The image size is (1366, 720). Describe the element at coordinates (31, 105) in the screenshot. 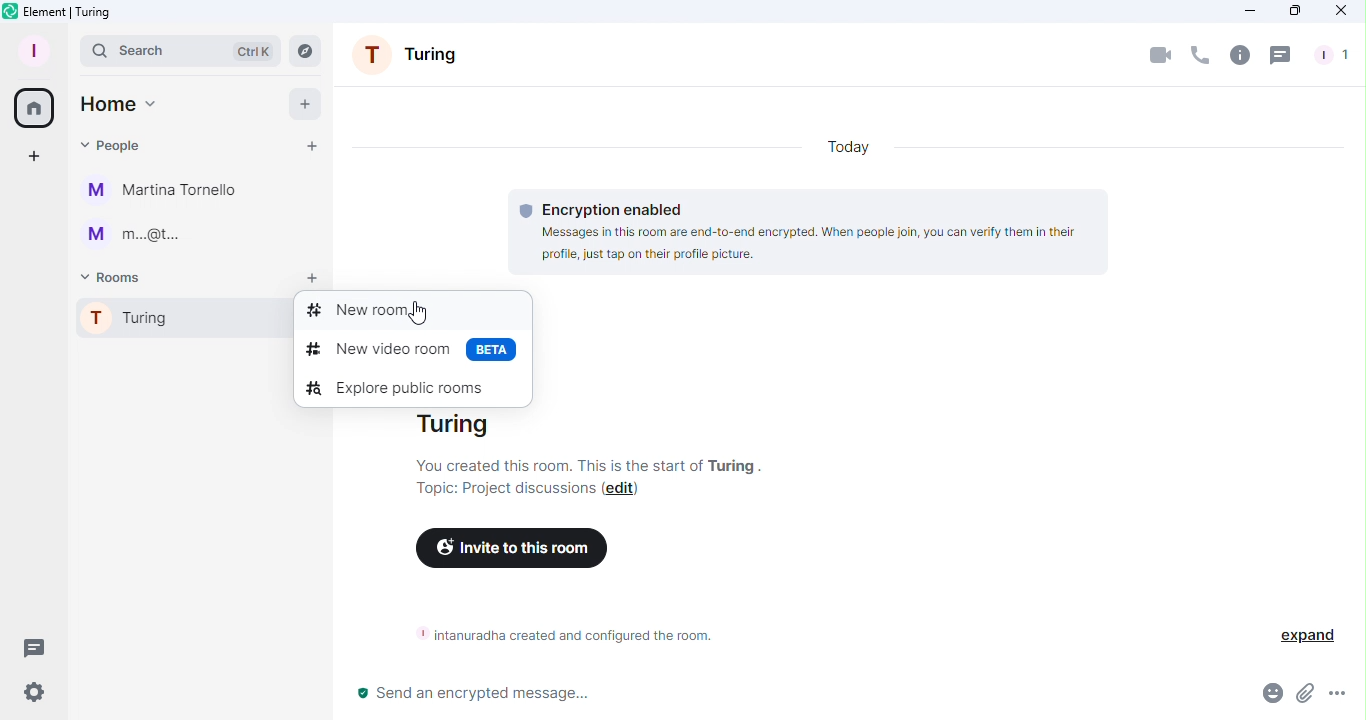

I see `Home` at that location.